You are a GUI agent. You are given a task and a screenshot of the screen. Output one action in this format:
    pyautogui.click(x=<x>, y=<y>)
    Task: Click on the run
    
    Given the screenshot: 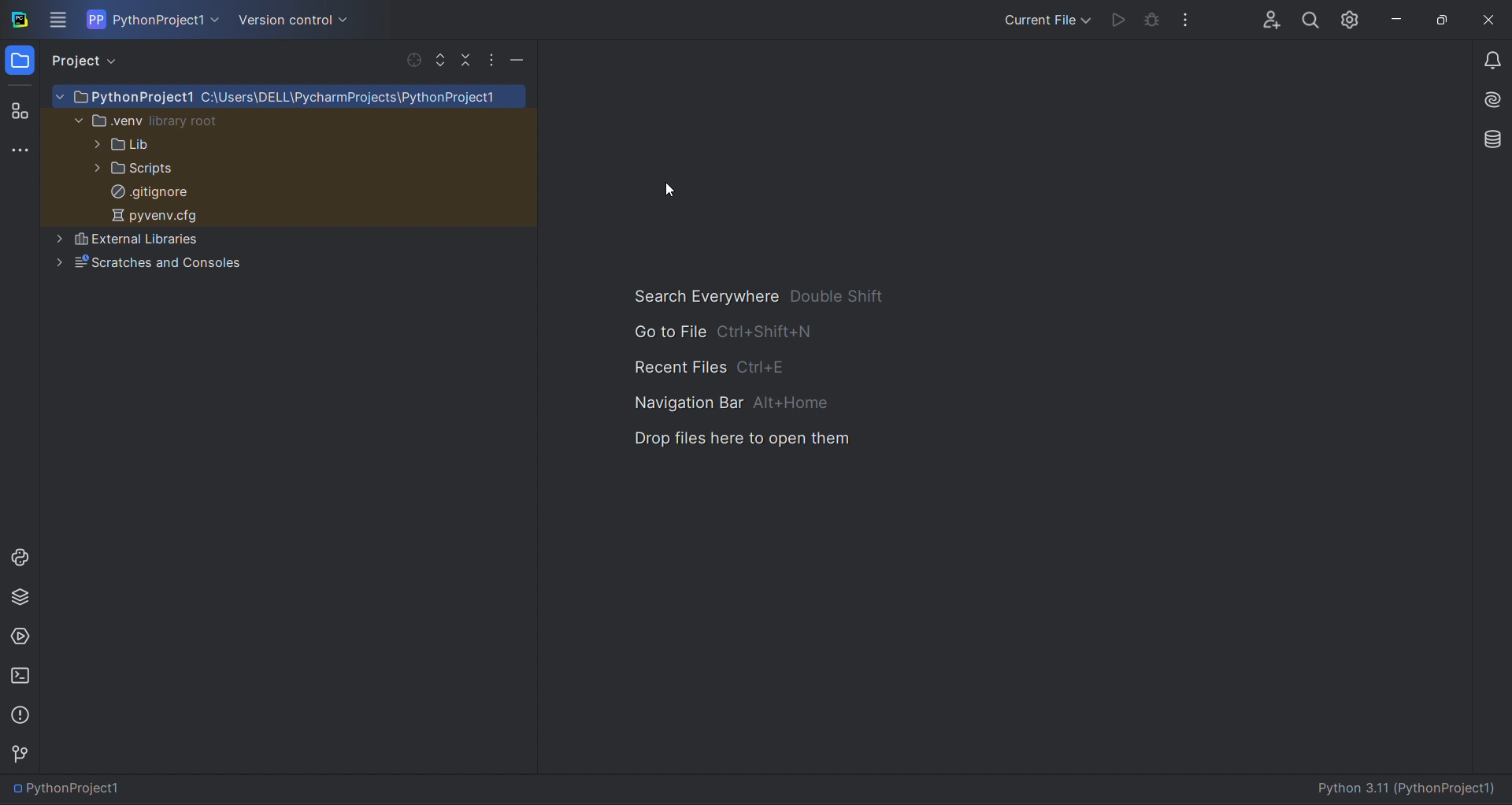 What is the action you would take?
    pyautogui.click(x=1115, y=18)
    